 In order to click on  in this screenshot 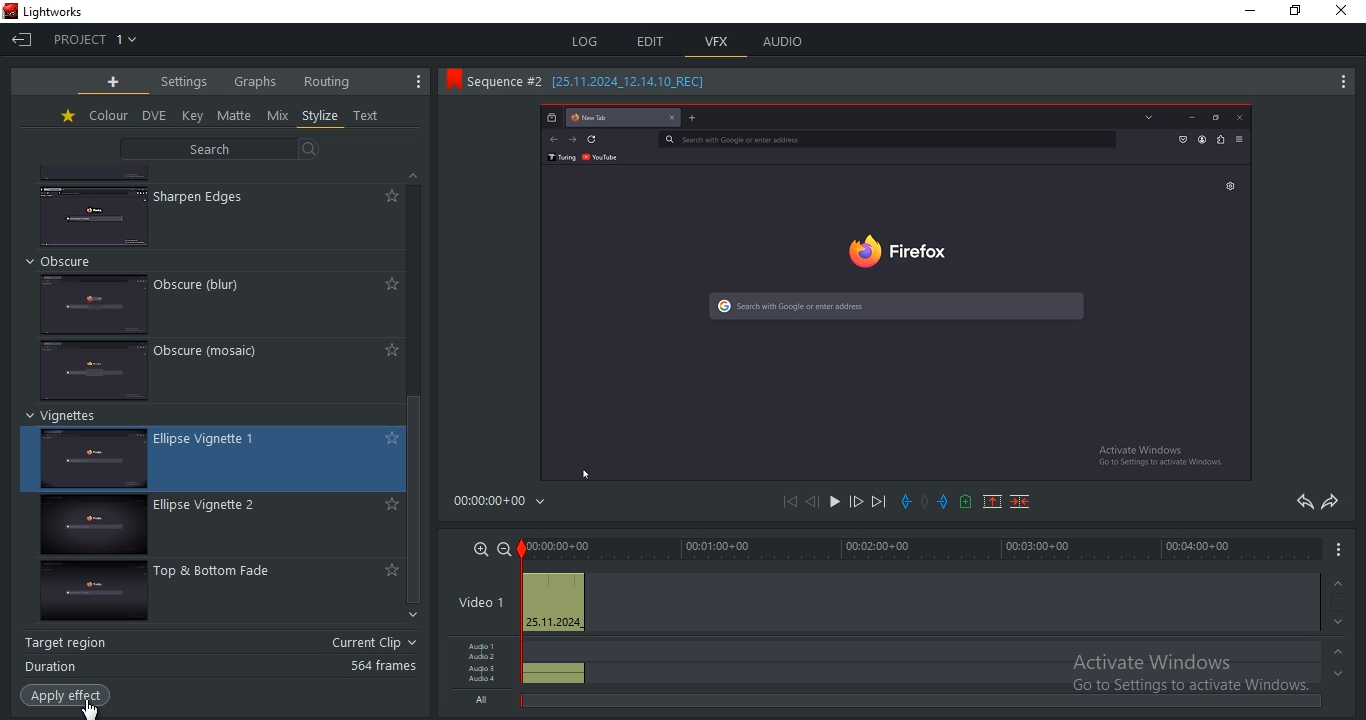, I will do `click(991, 501)`.